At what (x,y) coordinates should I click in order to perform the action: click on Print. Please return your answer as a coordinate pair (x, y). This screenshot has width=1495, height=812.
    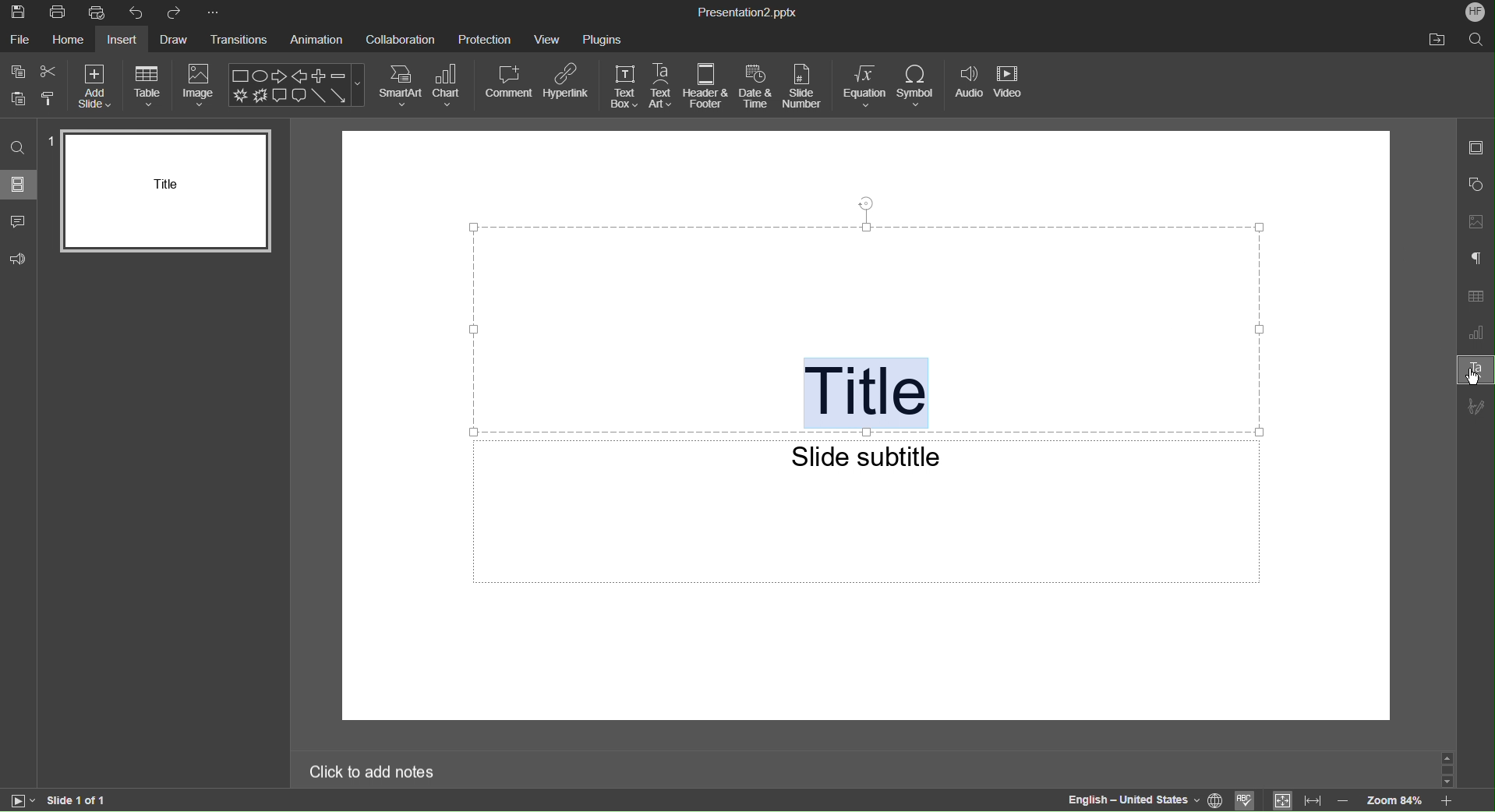
    Looking at the image, I should click on (61, 12).